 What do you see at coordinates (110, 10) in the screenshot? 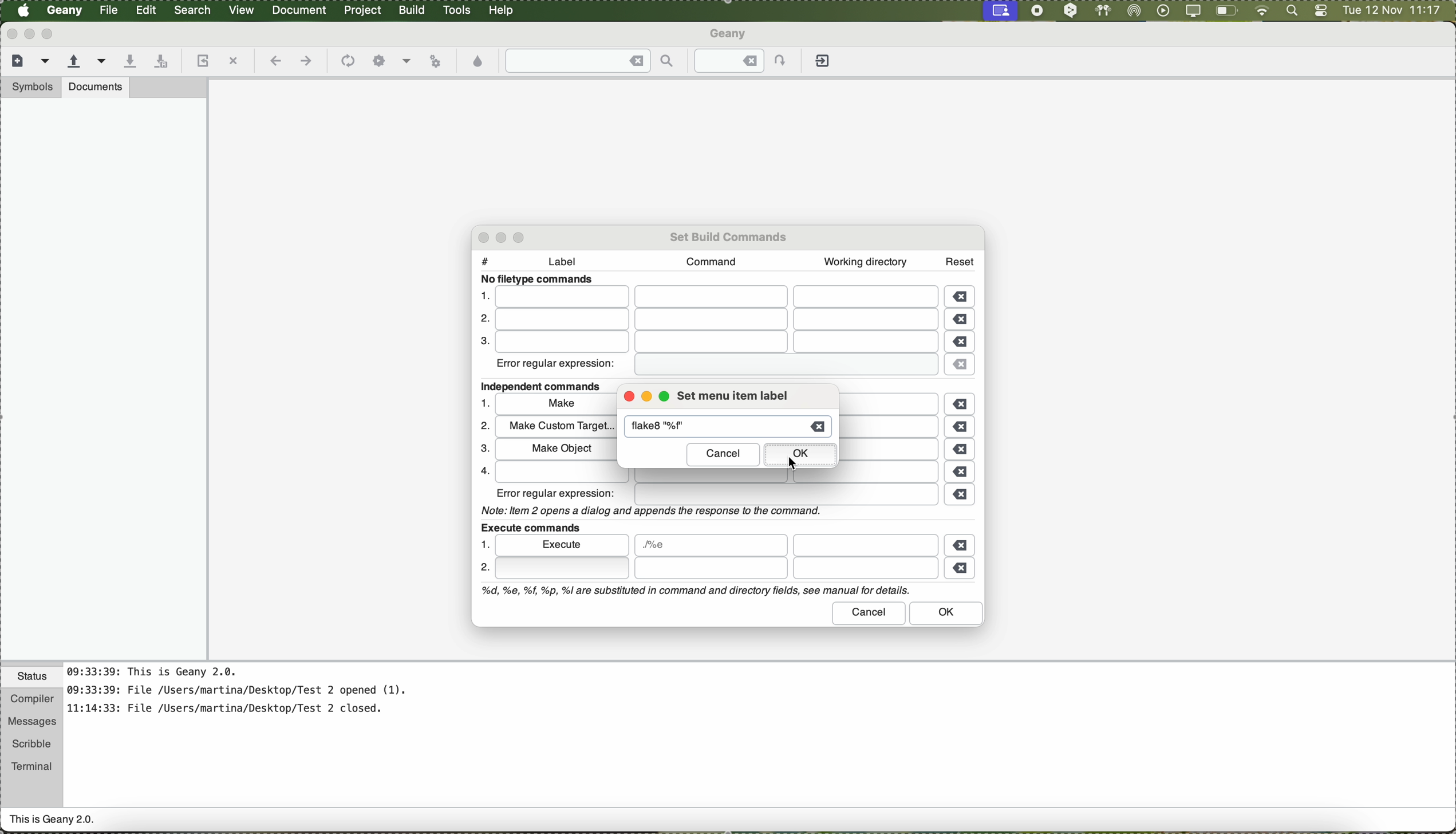
I see `file` at bounding box center [110, 10].